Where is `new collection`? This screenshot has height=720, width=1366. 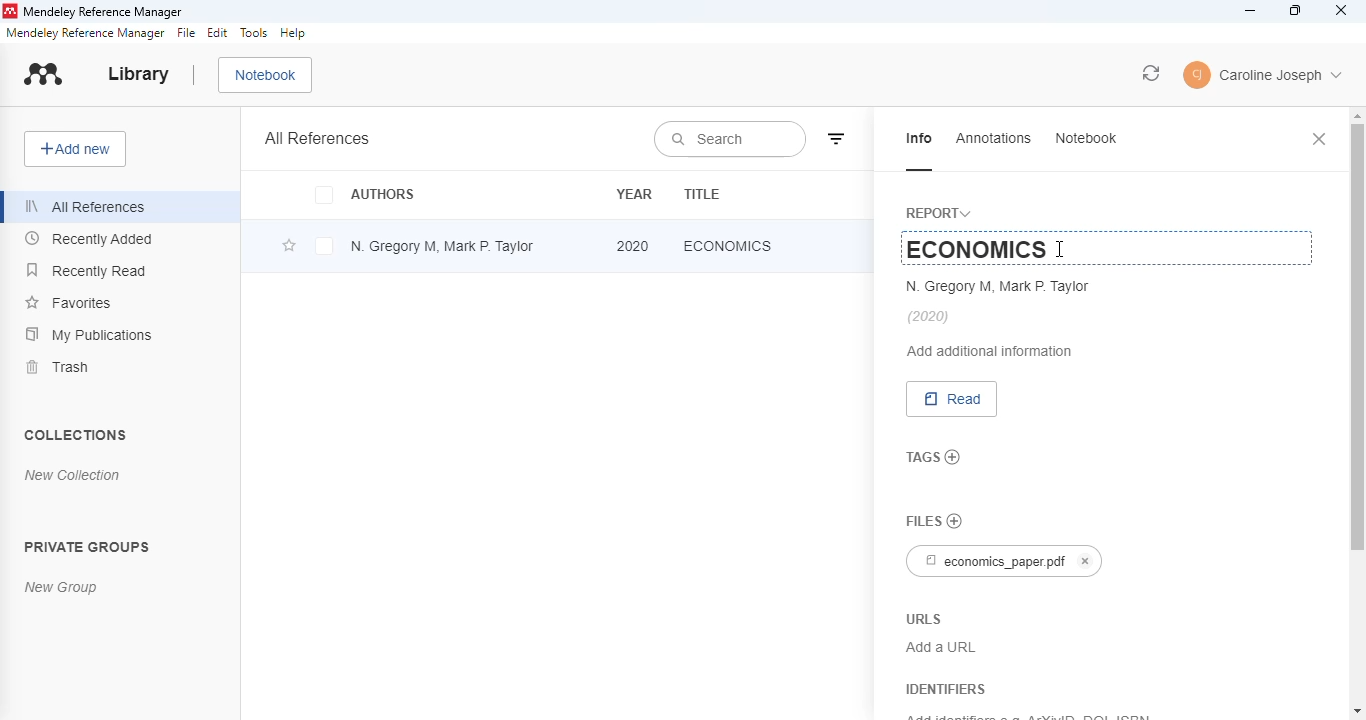 new collection is located at coordinates (73, 475).